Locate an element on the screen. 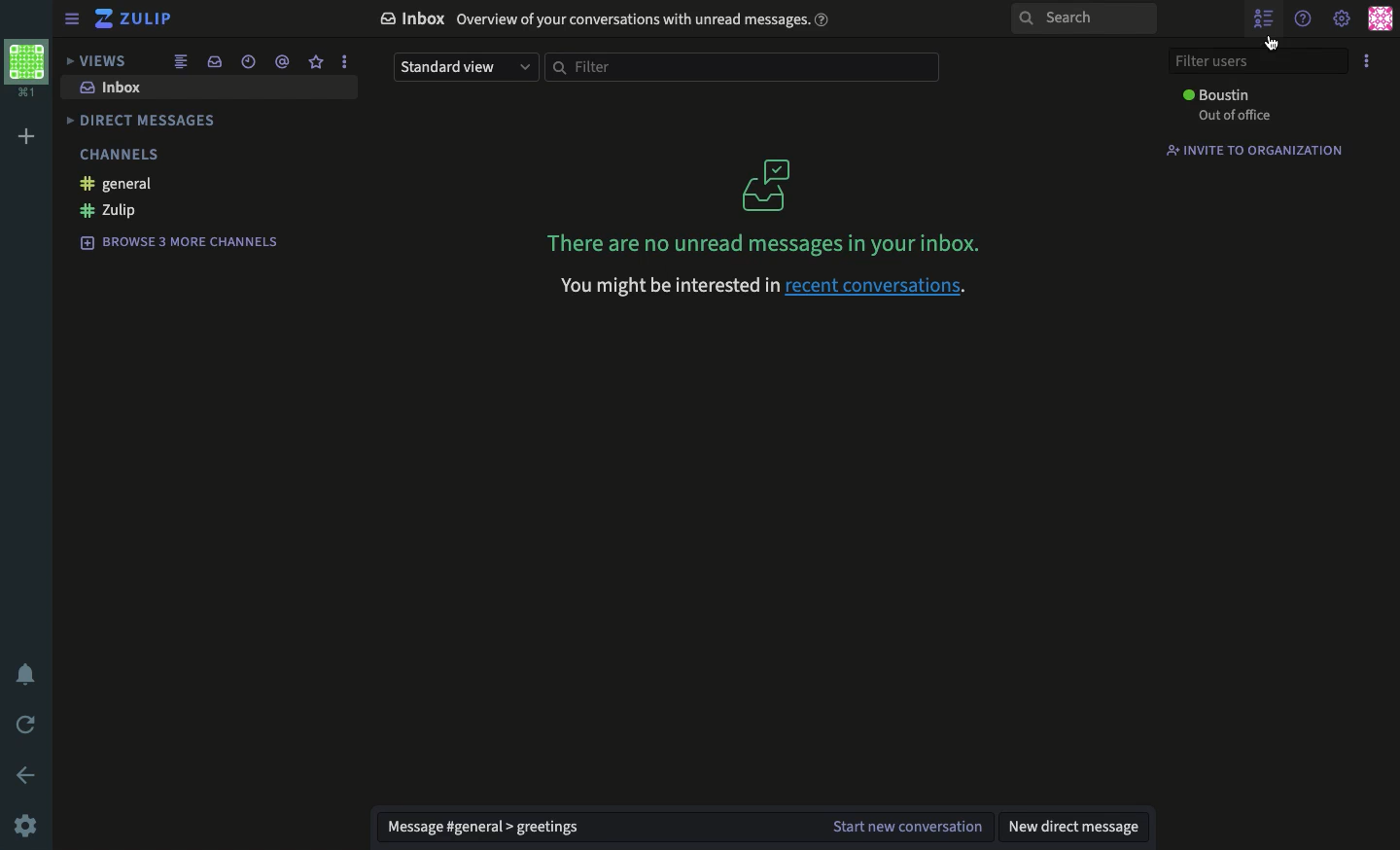  search is located at coordinates (1085, 19).